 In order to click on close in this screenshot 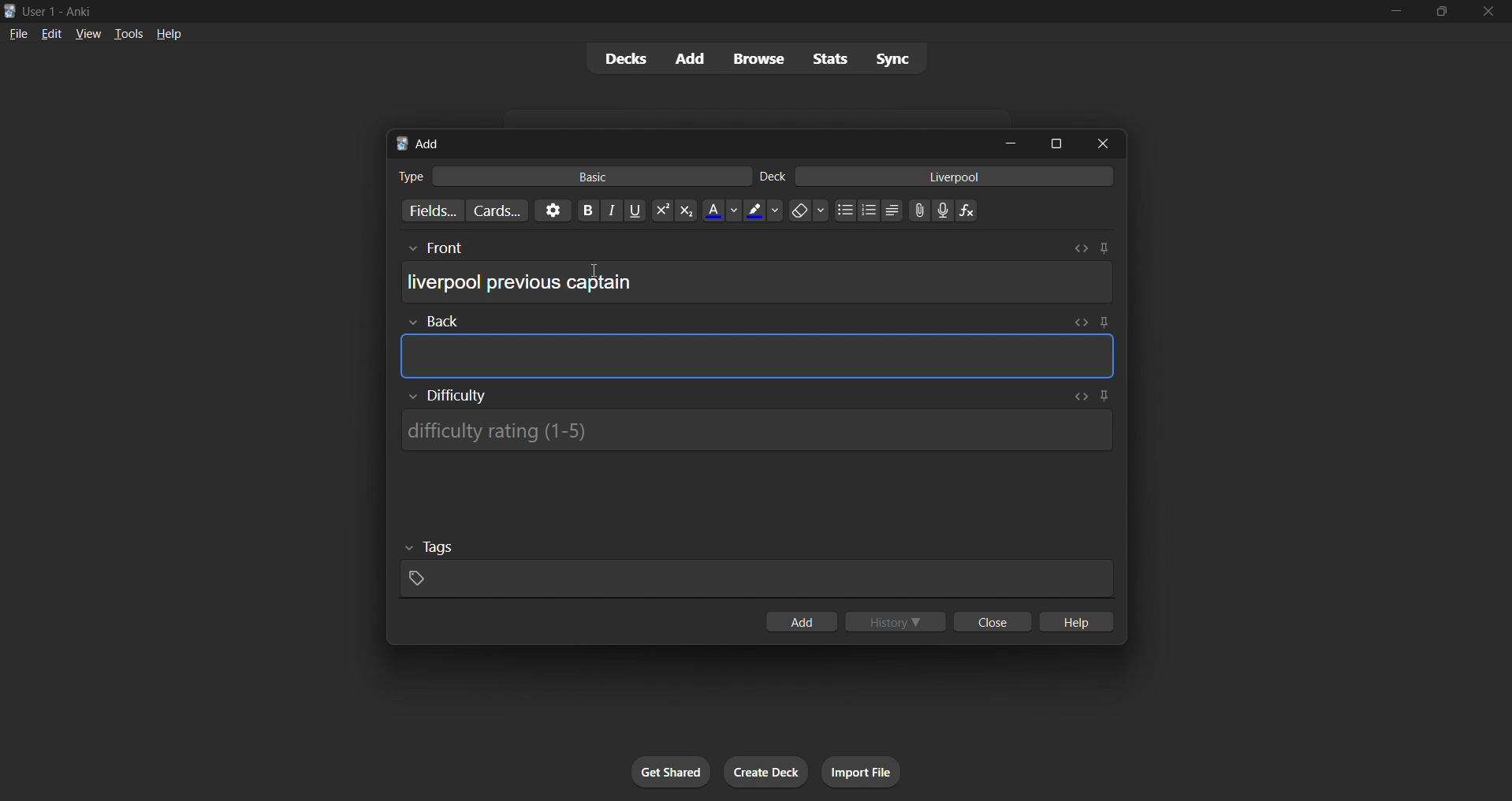, I will do `click(989, 623)`.